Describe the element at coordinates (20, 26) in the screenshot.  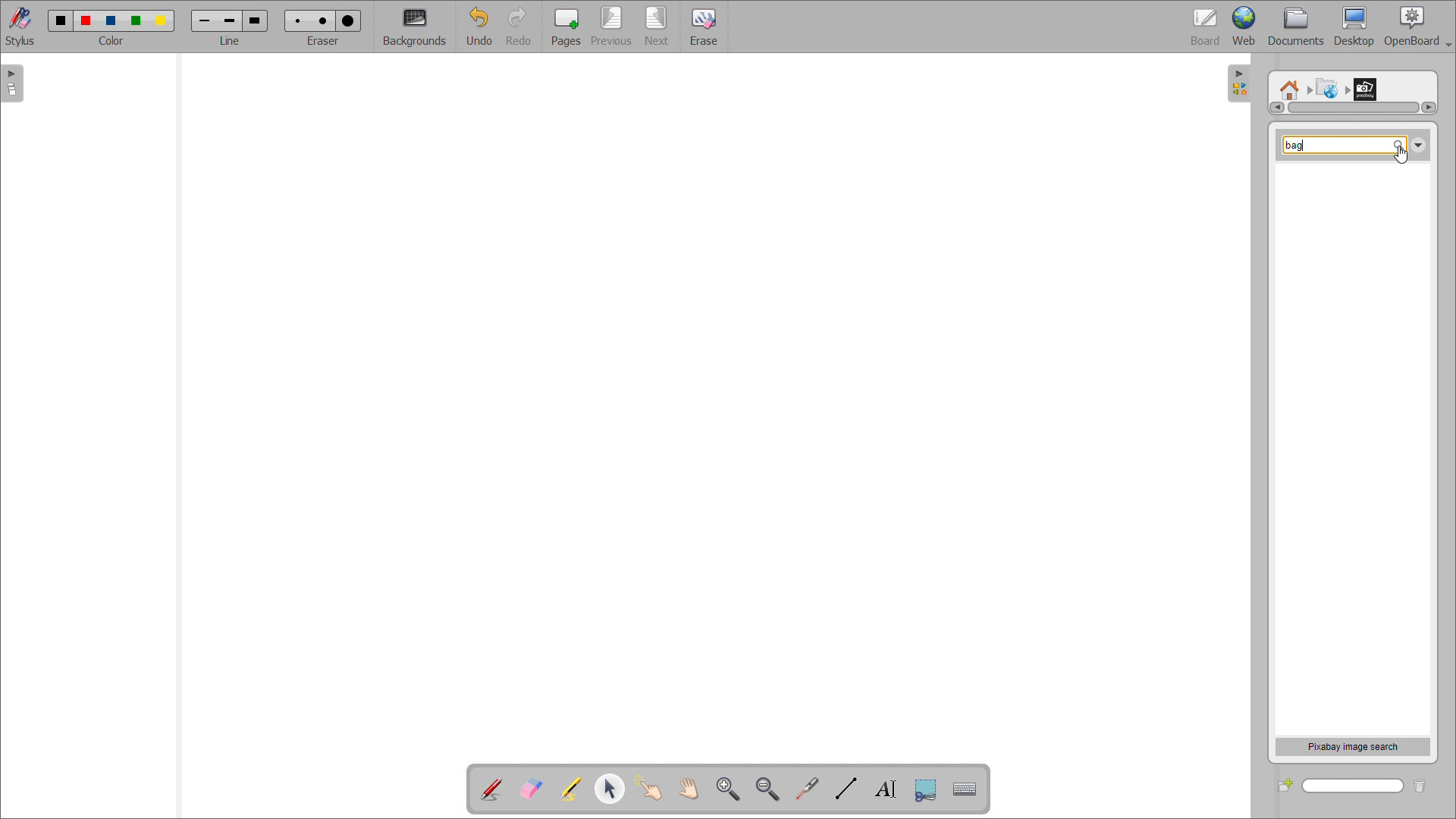
I see `toggle stylus` at that location.